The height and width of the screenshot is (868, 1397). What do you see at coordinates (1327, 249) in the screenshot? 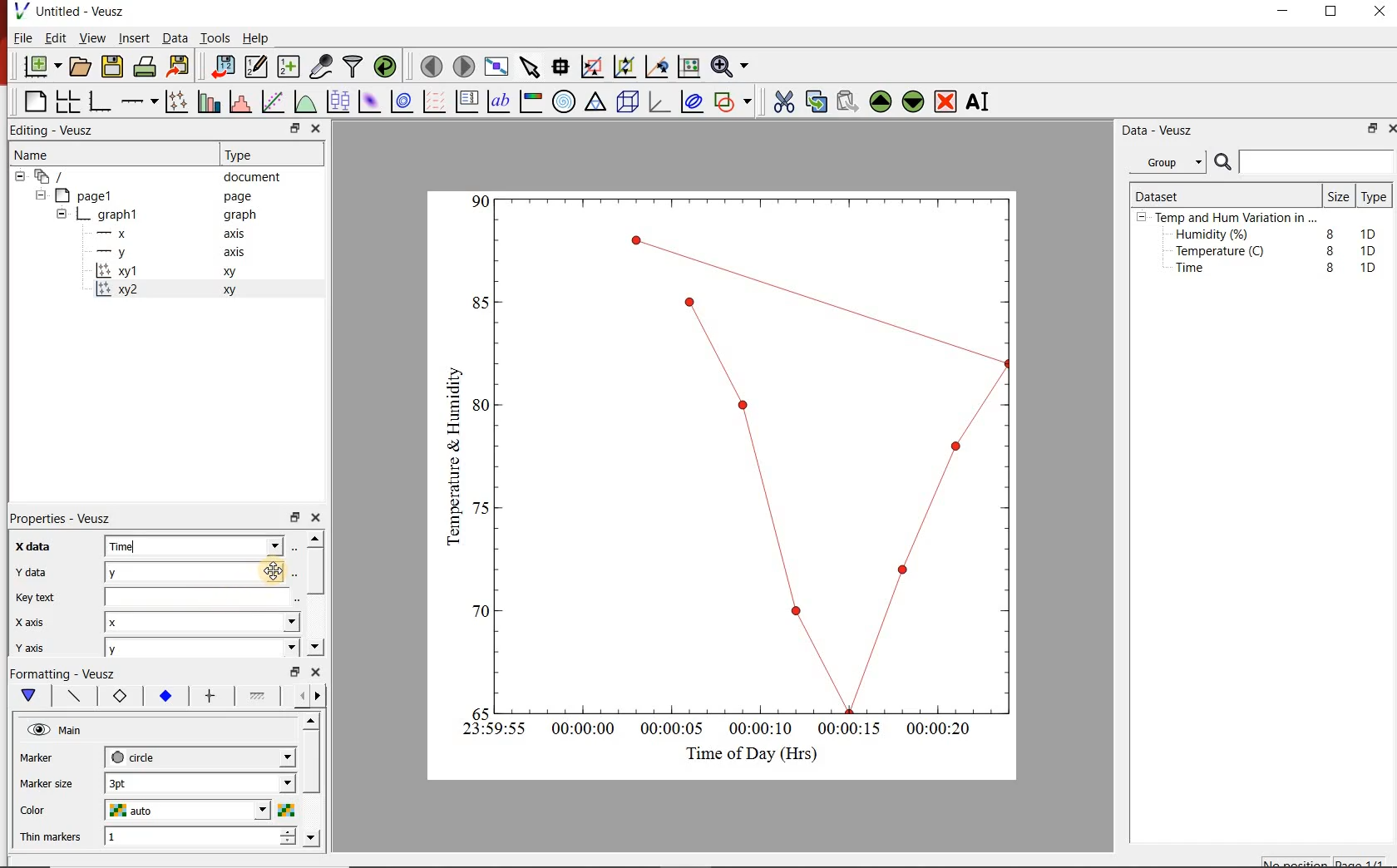
I see `8` at bounding box center [1327, 249].